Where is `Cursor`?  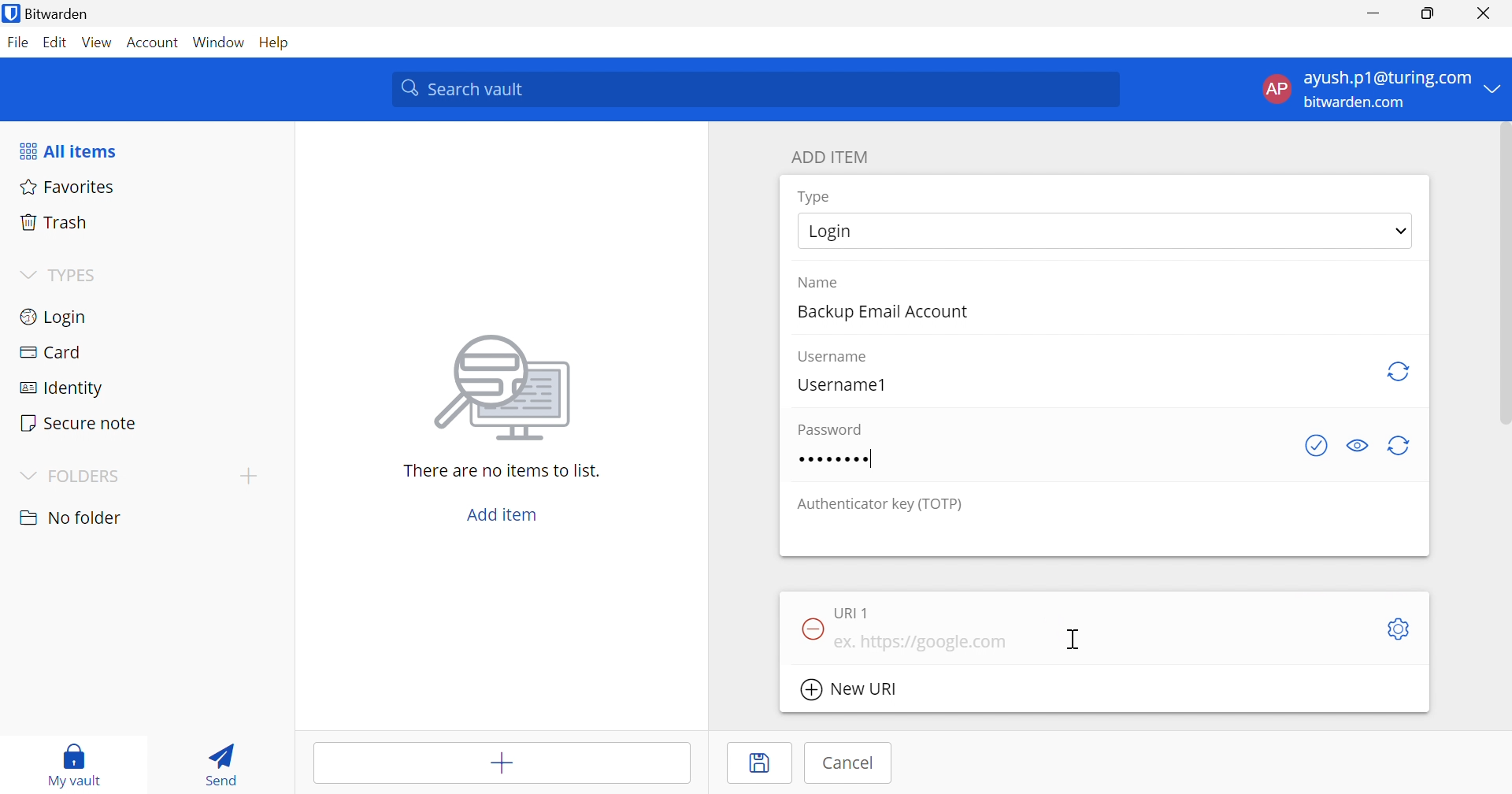
Cursor is located at coordinates (1075, 640).